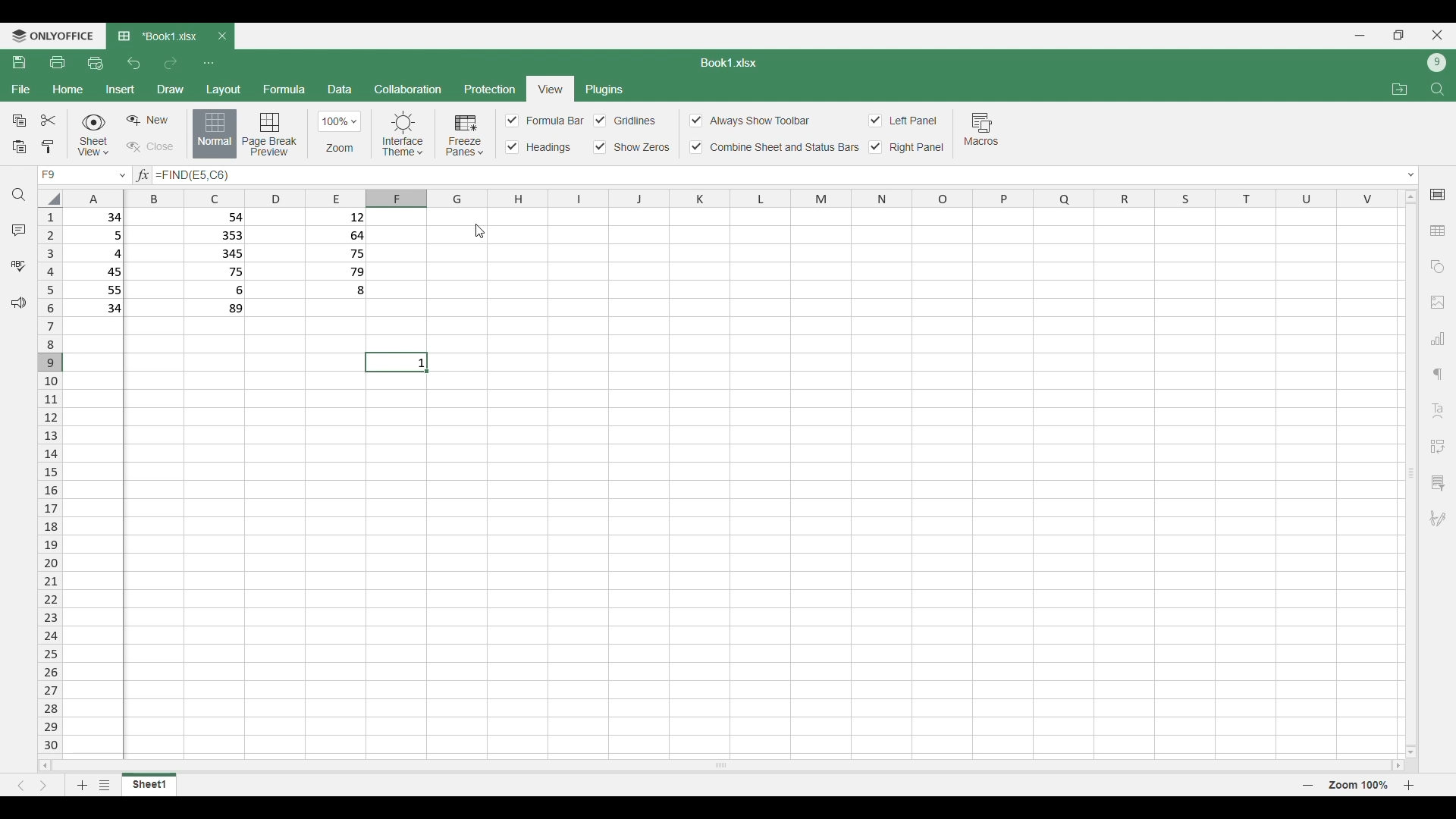 Image resolution: width=1456 pixels, height=819 pixels. Describe the element at coordinates (1308, 786) in the screenshot. I see `Page zoom out` at that location.